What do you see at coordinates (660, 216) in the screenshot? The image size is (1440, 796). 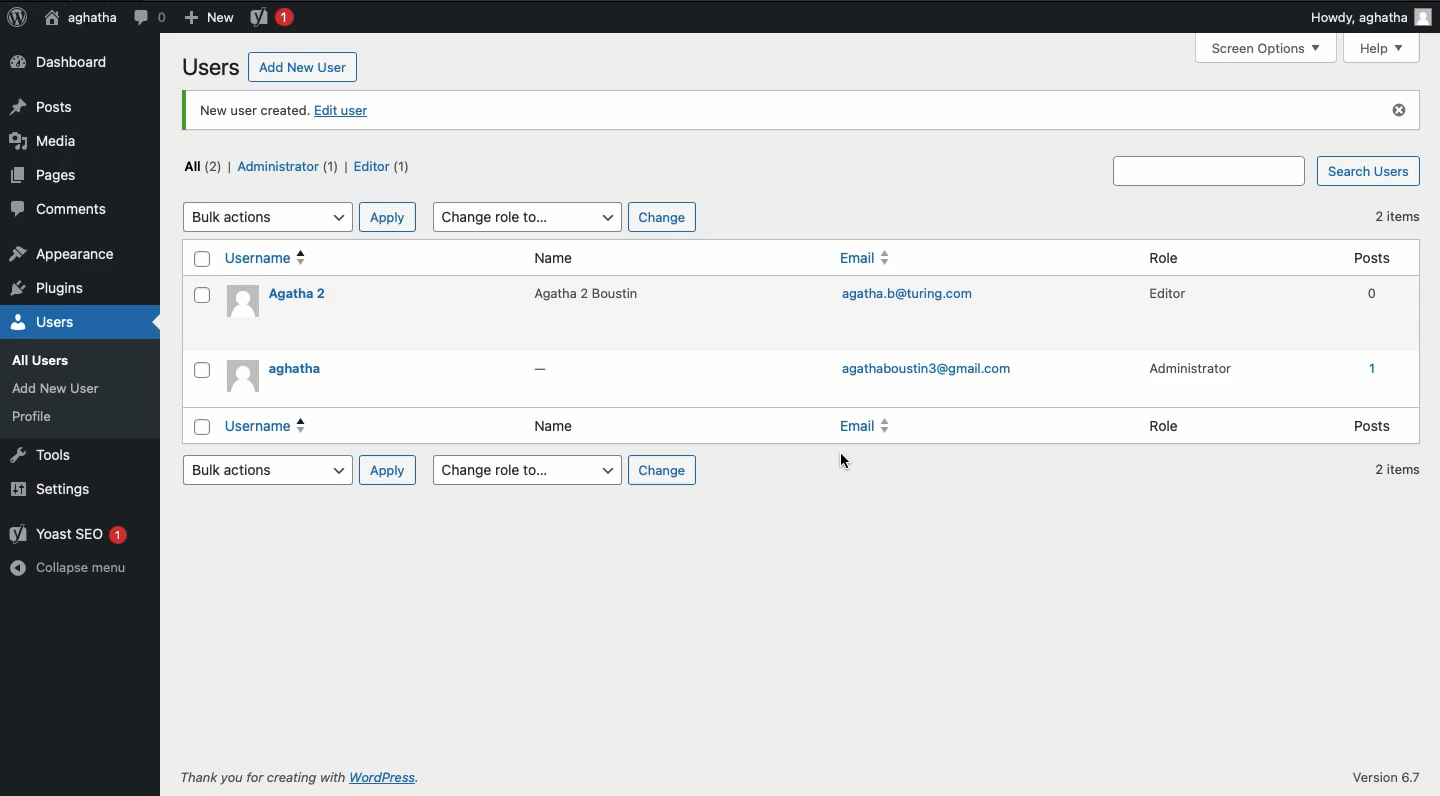 I see `Change` at bounding box center [660, 216].